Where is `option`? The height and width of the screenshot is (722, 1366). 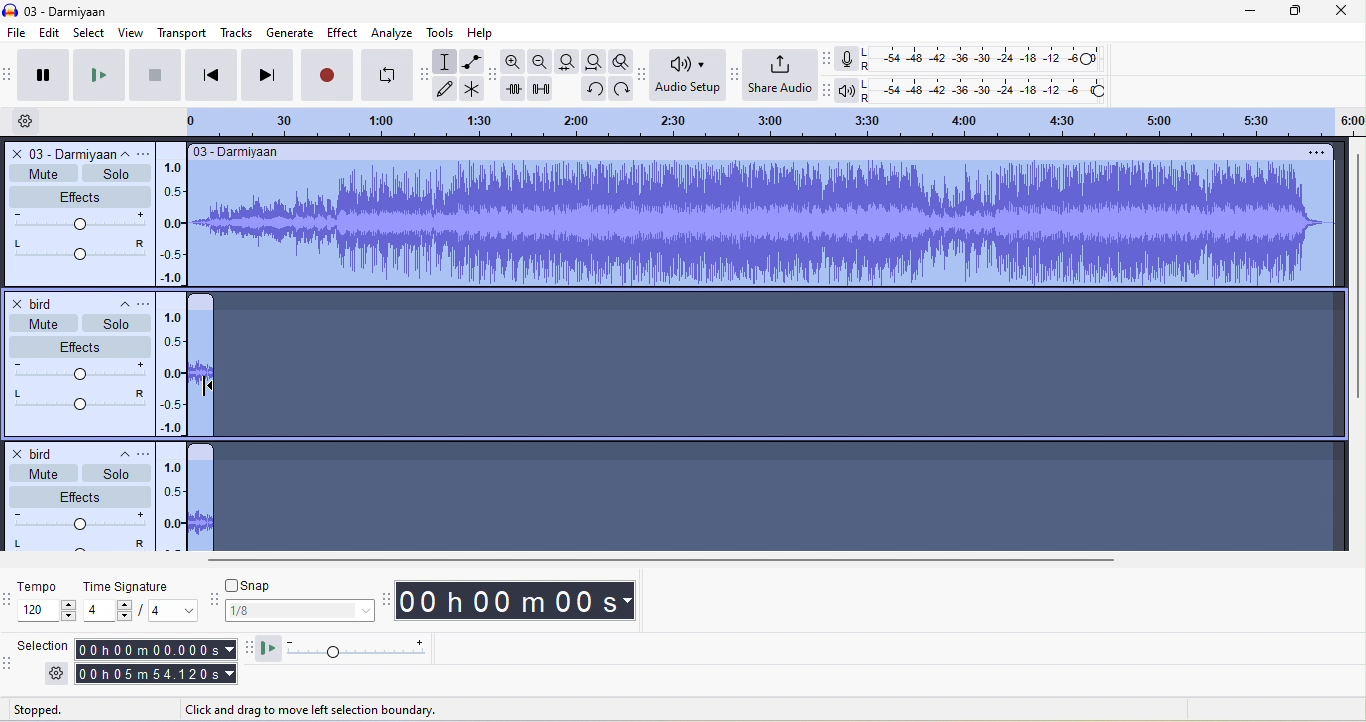
option is located at coordinates (1314, 151).